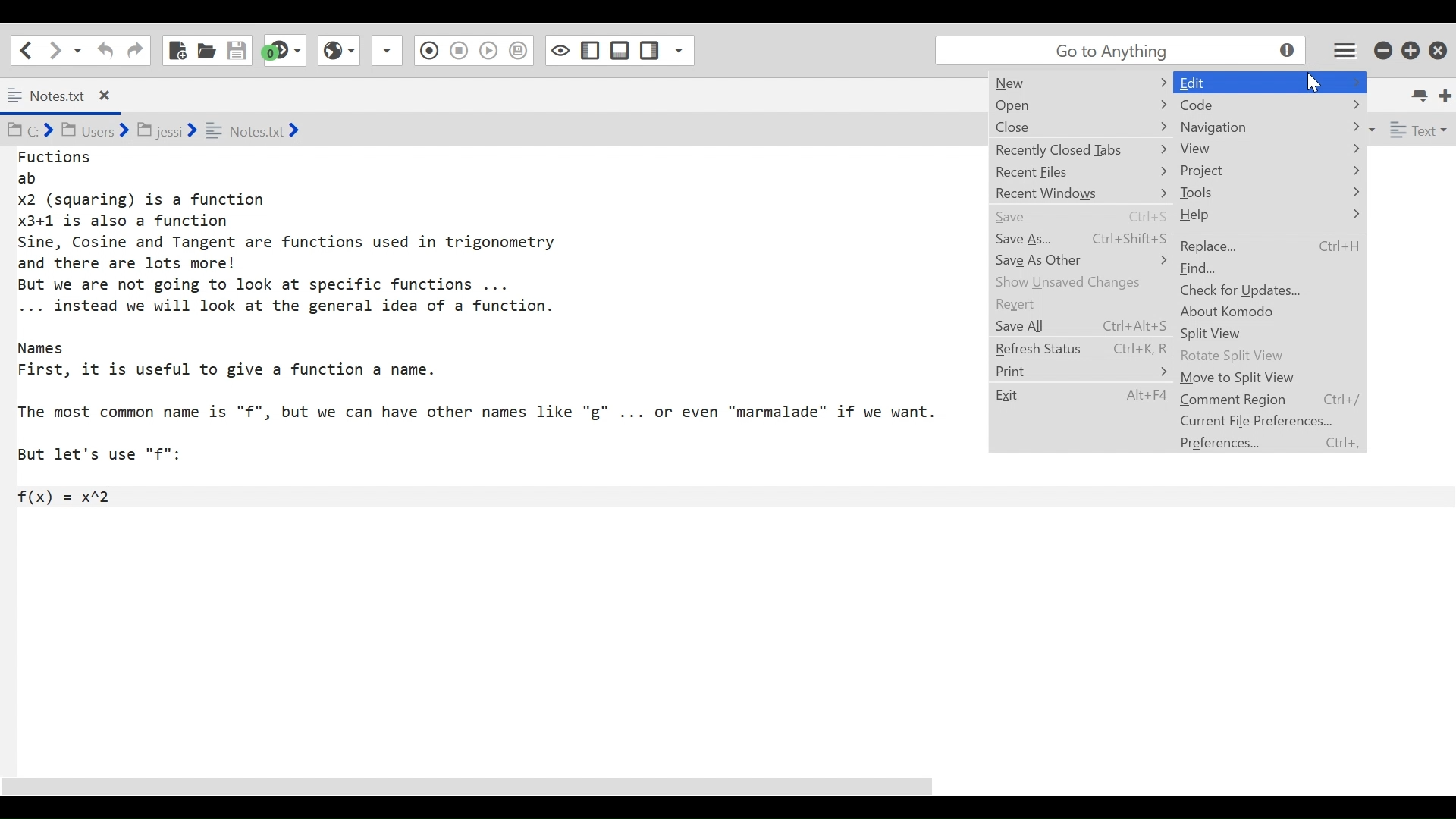 The height and width of the screenshot is (819, 1456). Describe the element at coordinates (1269, 80) in the screenshot. I see `edit` at that location.